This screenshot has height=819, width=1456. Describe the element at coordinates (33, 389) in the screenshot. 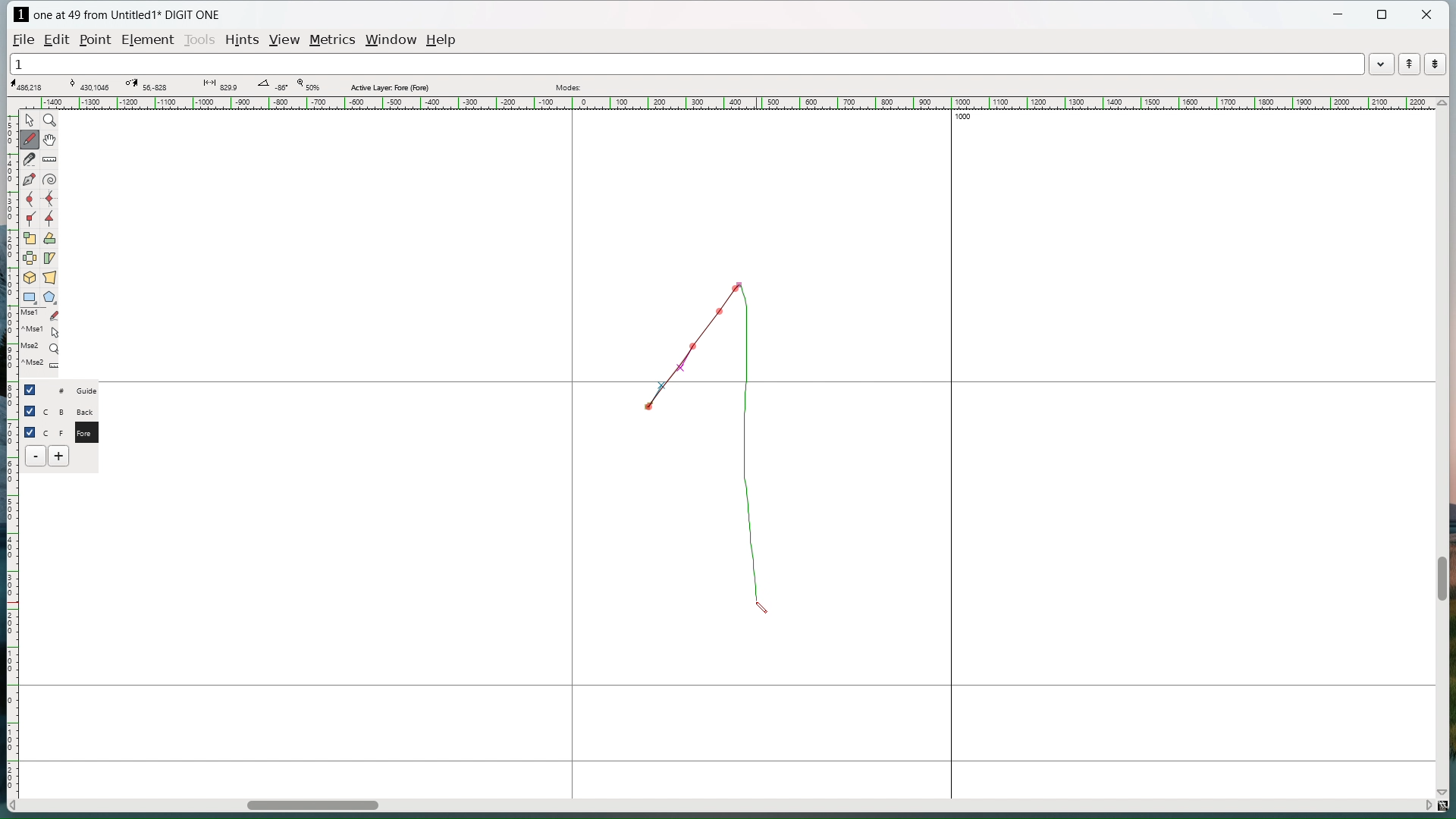

I see `checkbox` at that location.